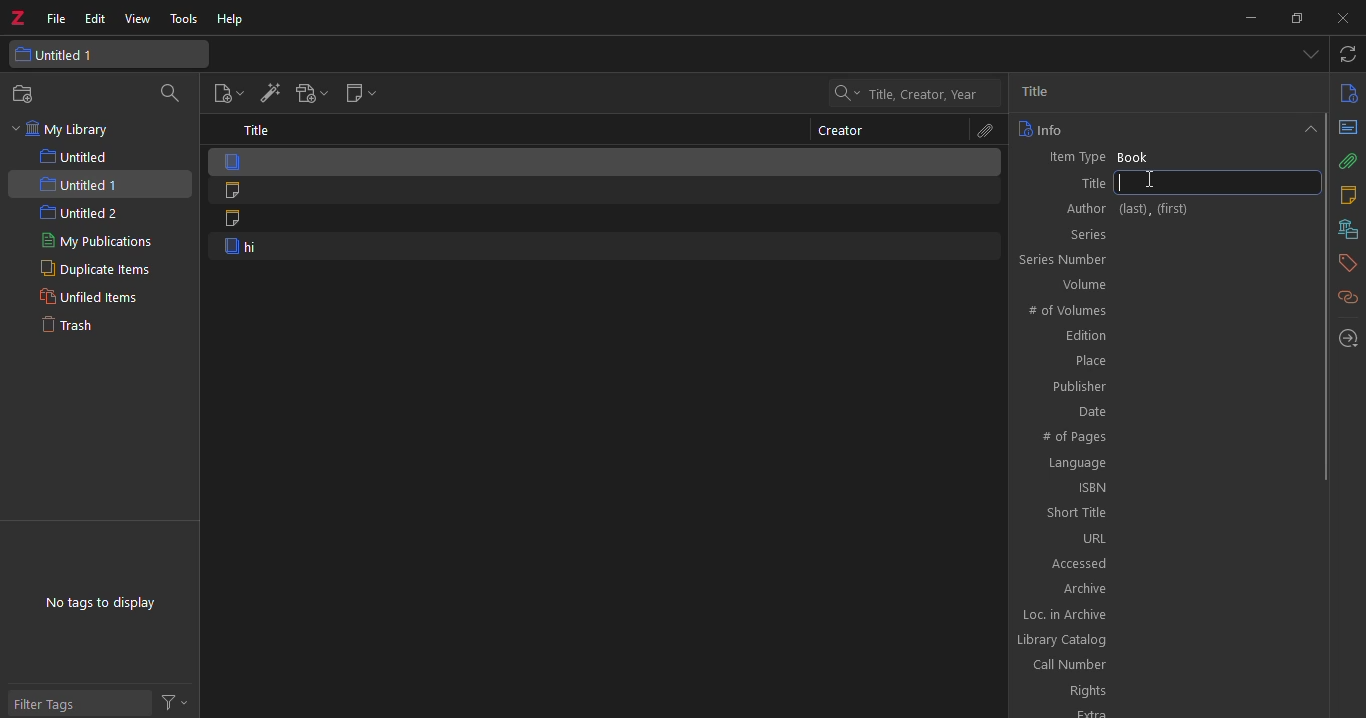 This screenshot has width=1366, height=718. I want to click on list all tabs, so click(1310, 56).